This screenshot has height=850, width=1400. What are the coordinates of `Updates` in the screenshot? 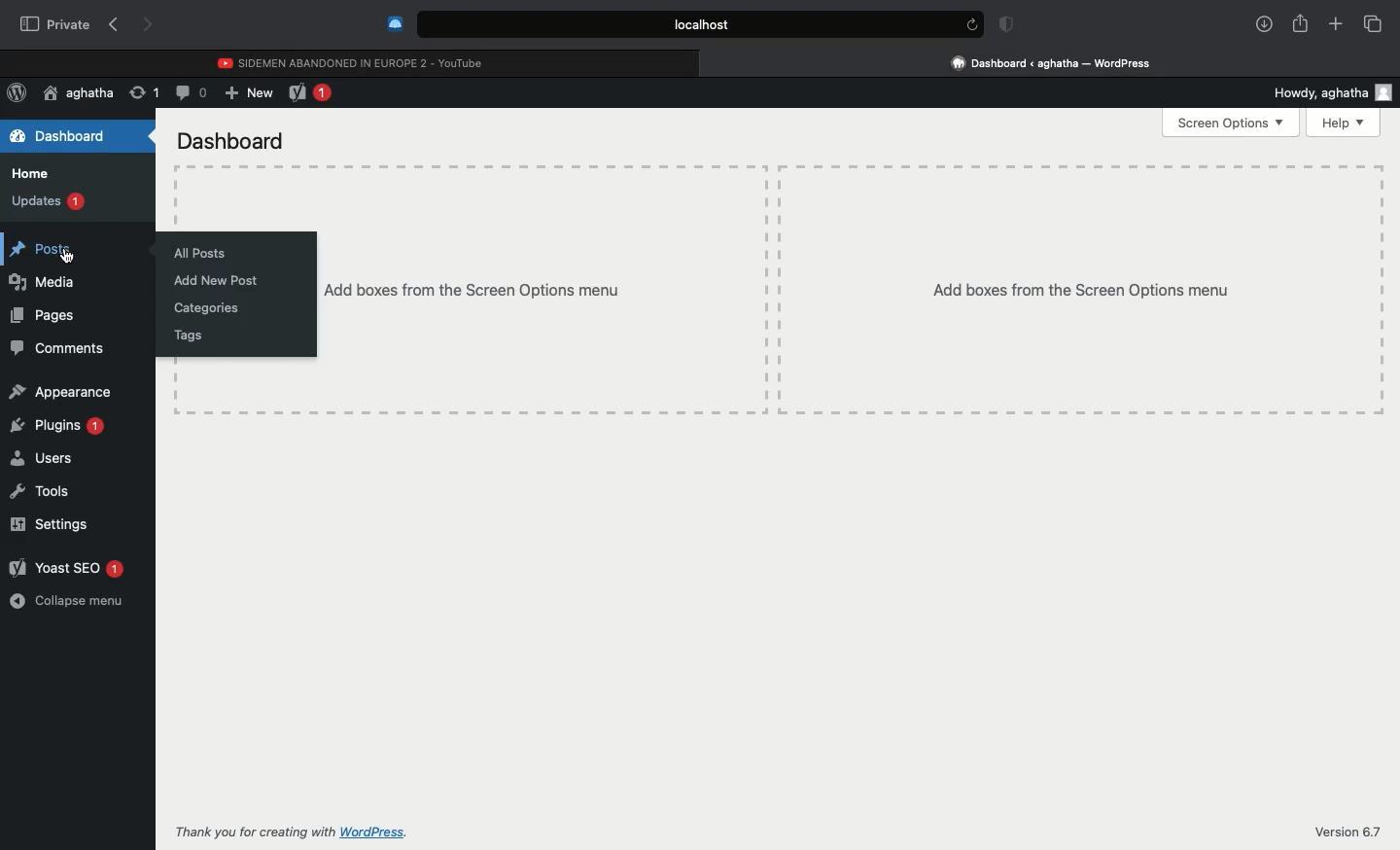 It's located at (47, 202).